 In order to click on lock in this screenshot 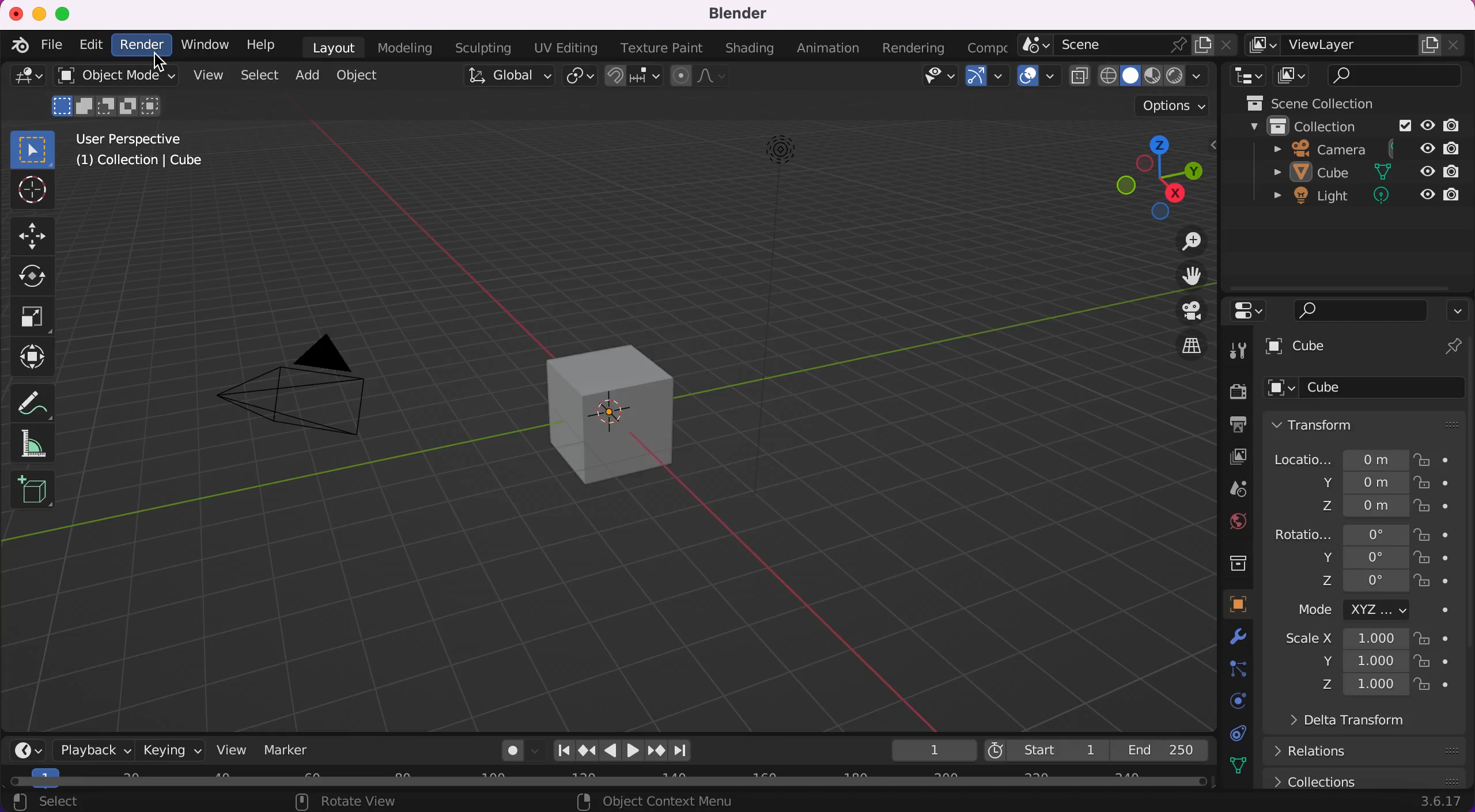, I will do `click(1436, 663)`.